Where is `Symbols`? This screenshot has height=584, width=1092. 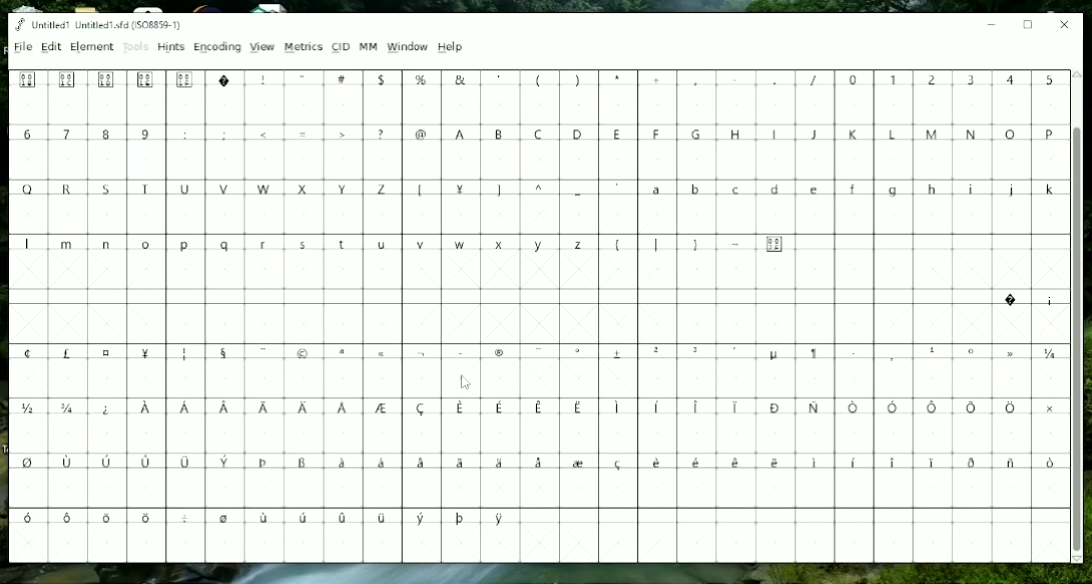
Symbols is located at coordinates (561, 190).